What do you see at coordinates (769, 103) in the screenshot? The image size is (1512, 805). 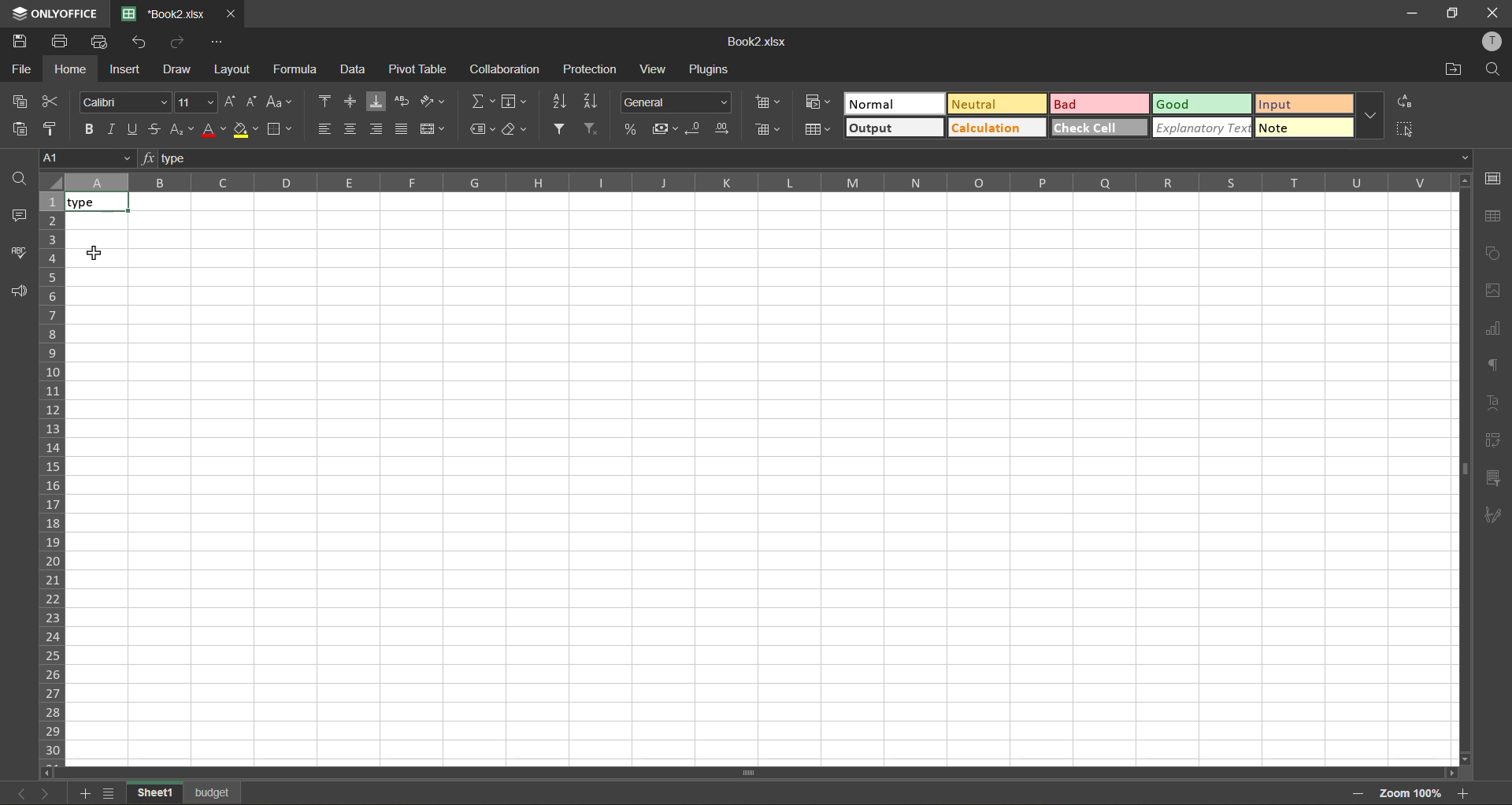 I see `insert cells` at bounding box center [769, 103].